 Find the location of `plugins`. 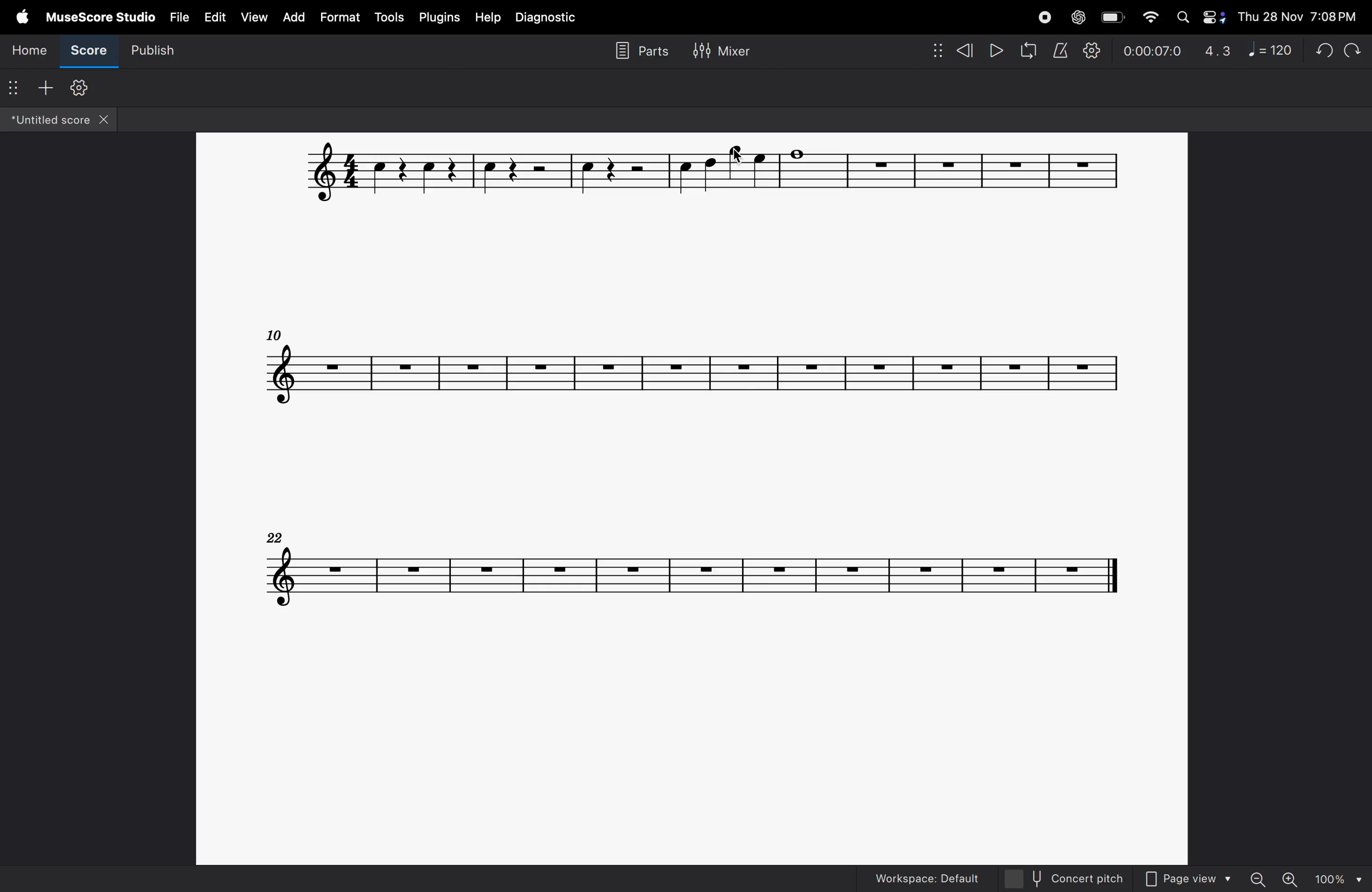

plugins is located at coordinates (439, 17).